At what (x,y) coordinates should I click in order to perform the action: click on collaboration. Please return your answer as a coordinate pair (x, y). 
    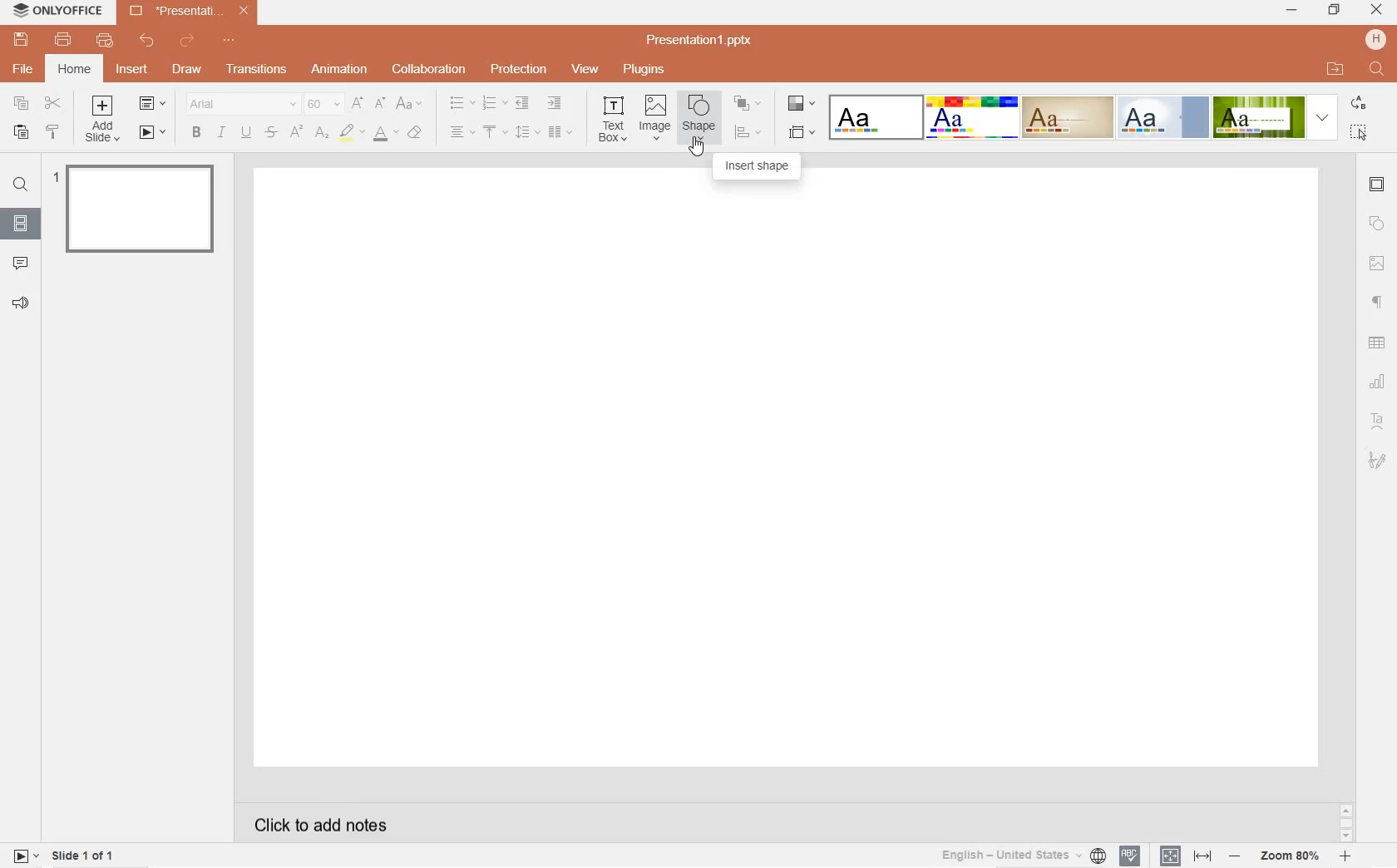
    Looking at the image, I should click on (430, 69).